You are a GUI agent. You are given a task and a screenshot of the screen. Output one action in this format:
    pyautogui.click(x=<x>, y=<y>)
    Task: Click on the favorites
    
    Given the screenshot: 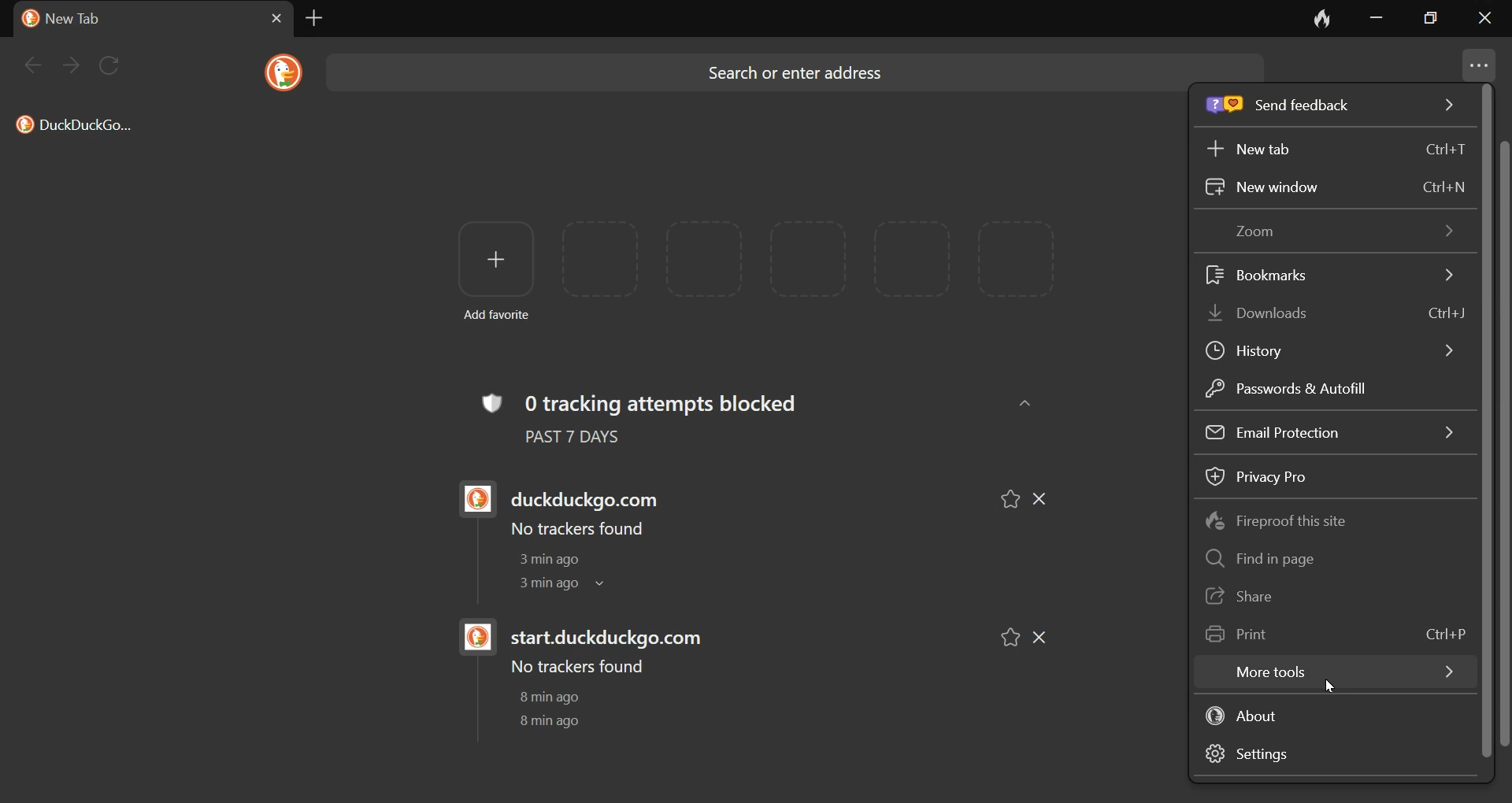 What is the action you would take?
    pyautogui.click(x=1004, y=635)
    